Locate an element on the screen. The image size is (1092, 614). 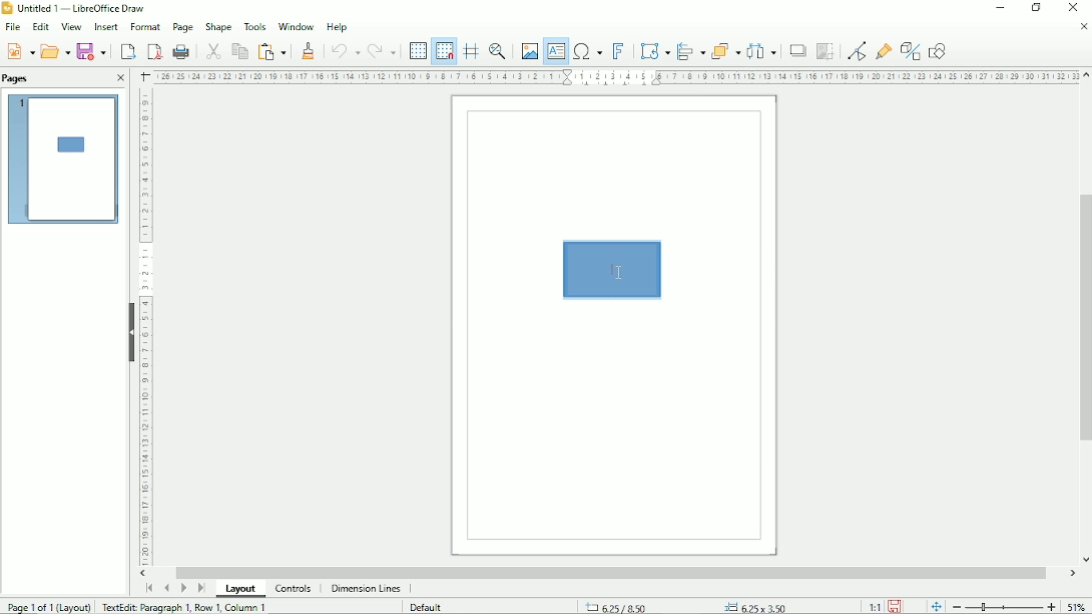
Show glue point functions is located at coordinates (885, 48).